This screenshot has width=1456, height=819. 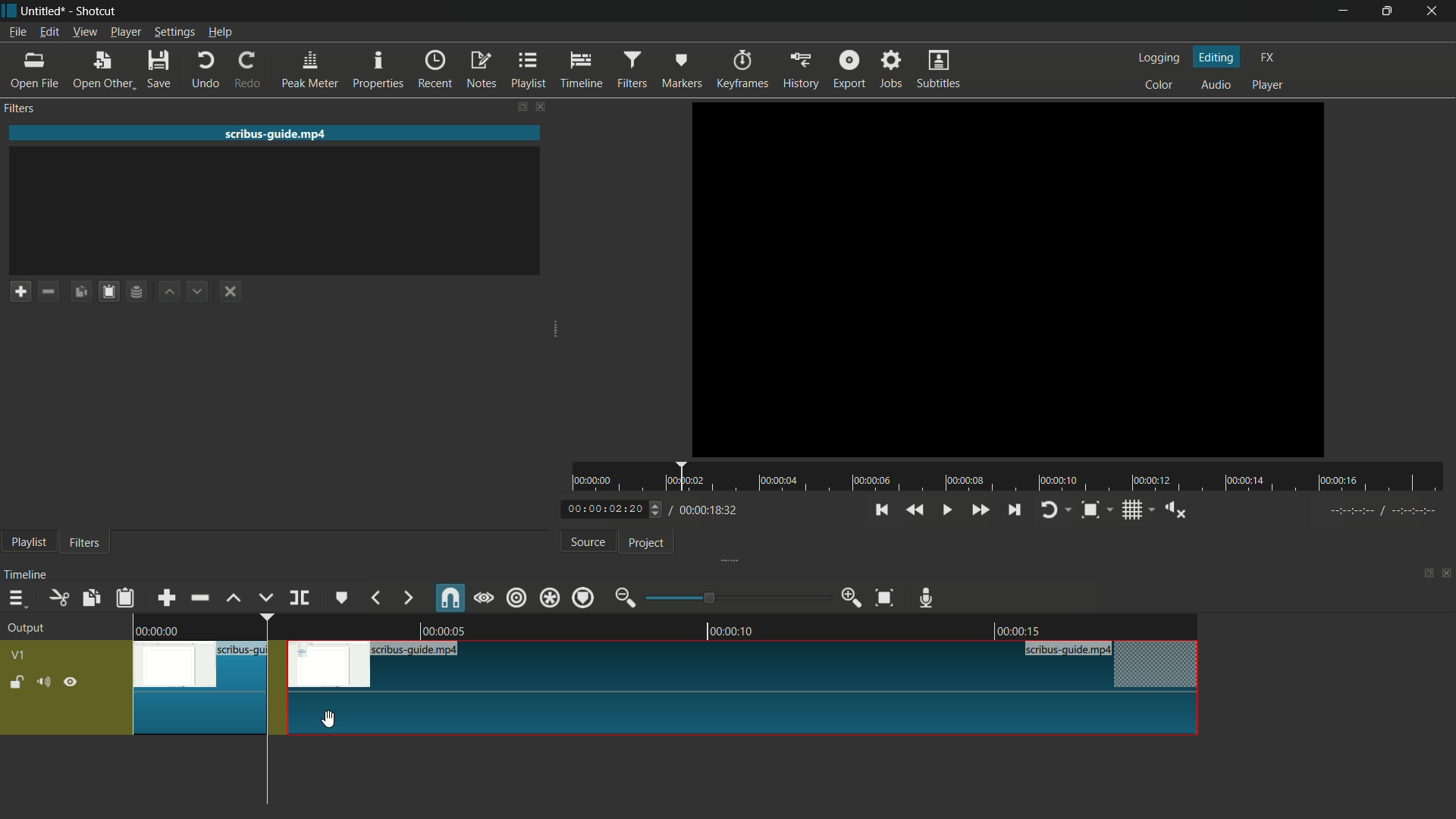 I want to click on ripple, so click(x=515, y=597).